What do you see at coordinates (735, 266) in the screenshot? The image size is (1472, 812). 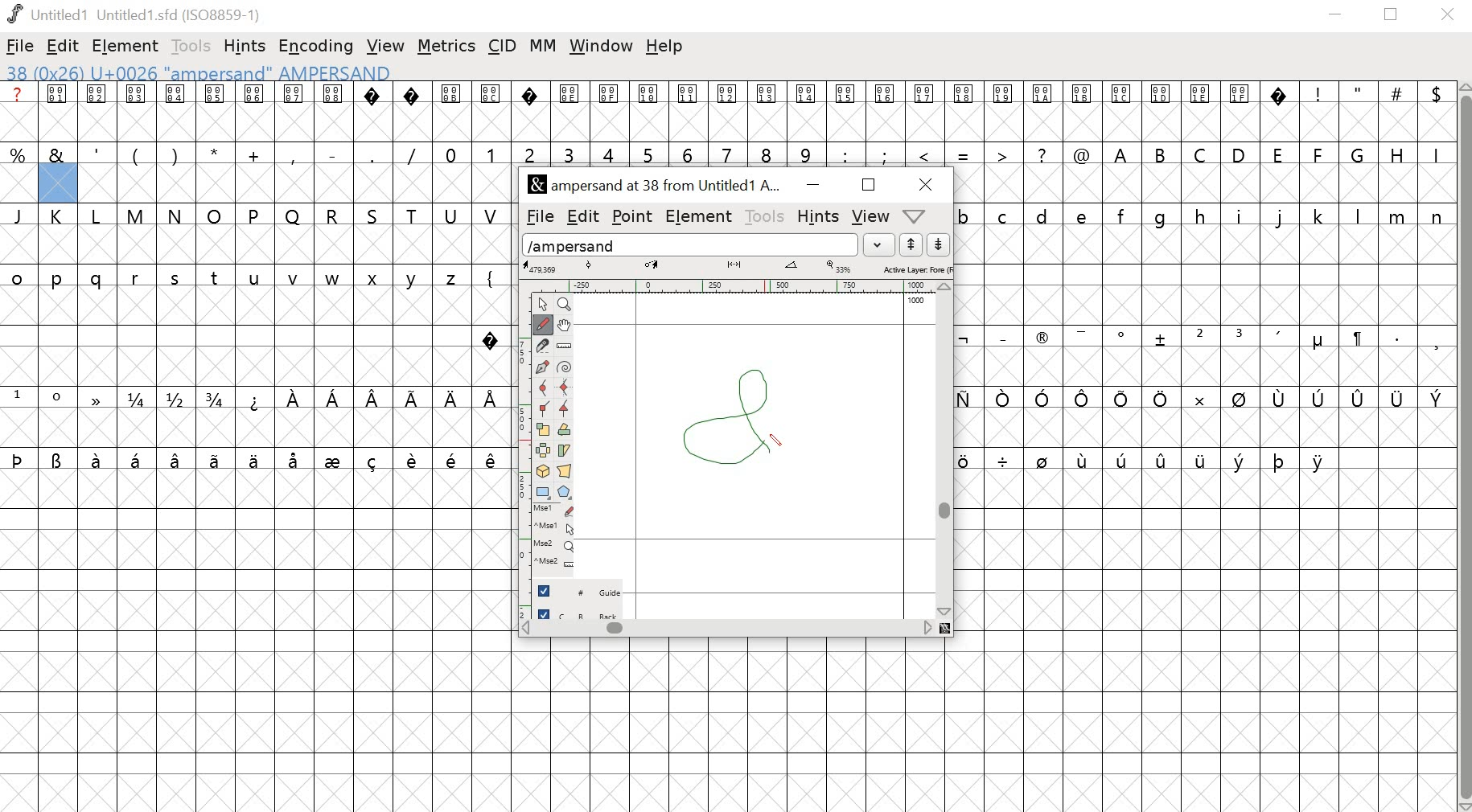 I see `distance between points` at bounding box center [735, 266].